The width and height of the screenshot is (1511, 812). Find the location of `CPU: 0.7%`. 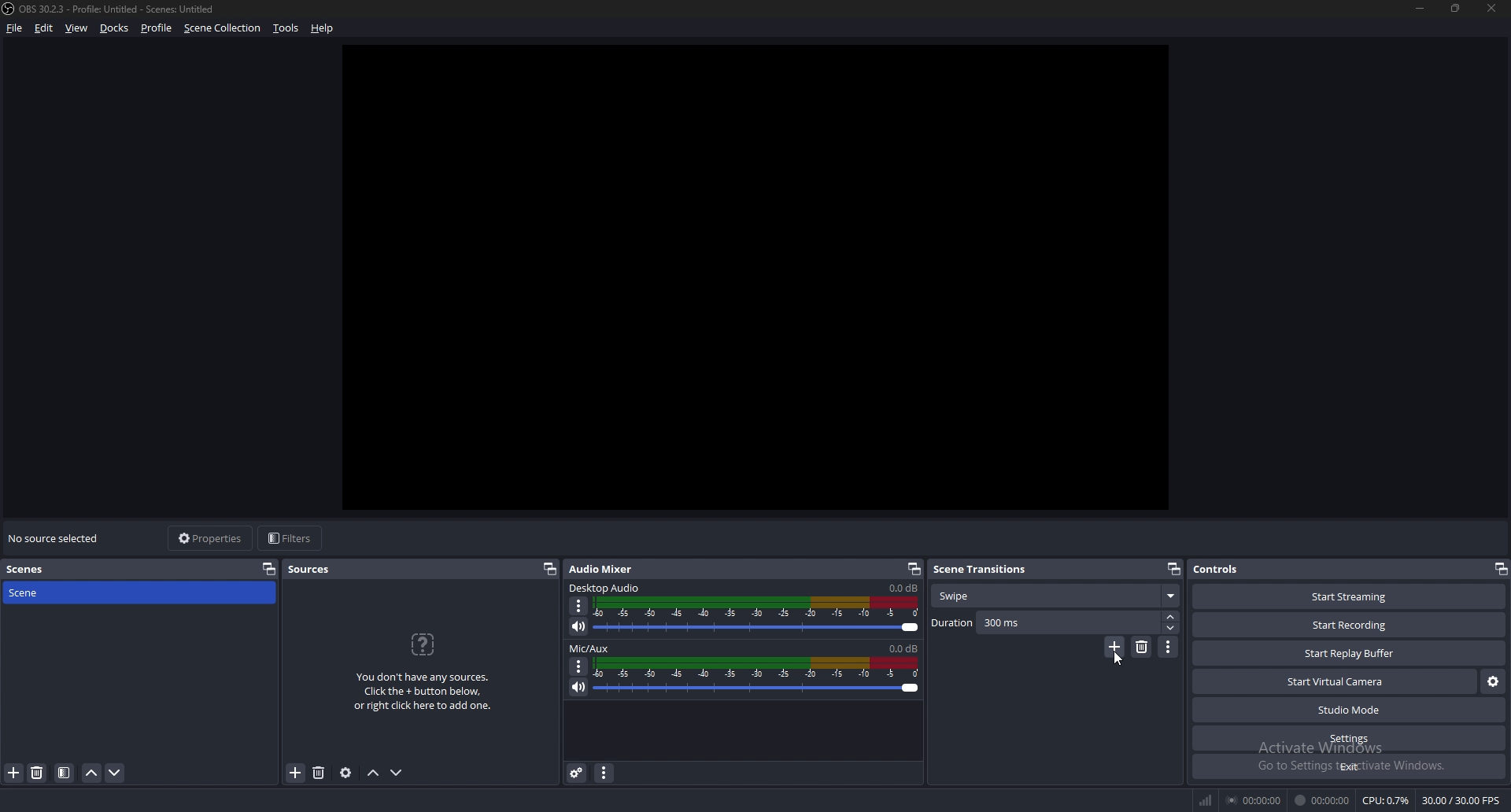

CPU: 0.7% is located at coordinates (1387, 801).